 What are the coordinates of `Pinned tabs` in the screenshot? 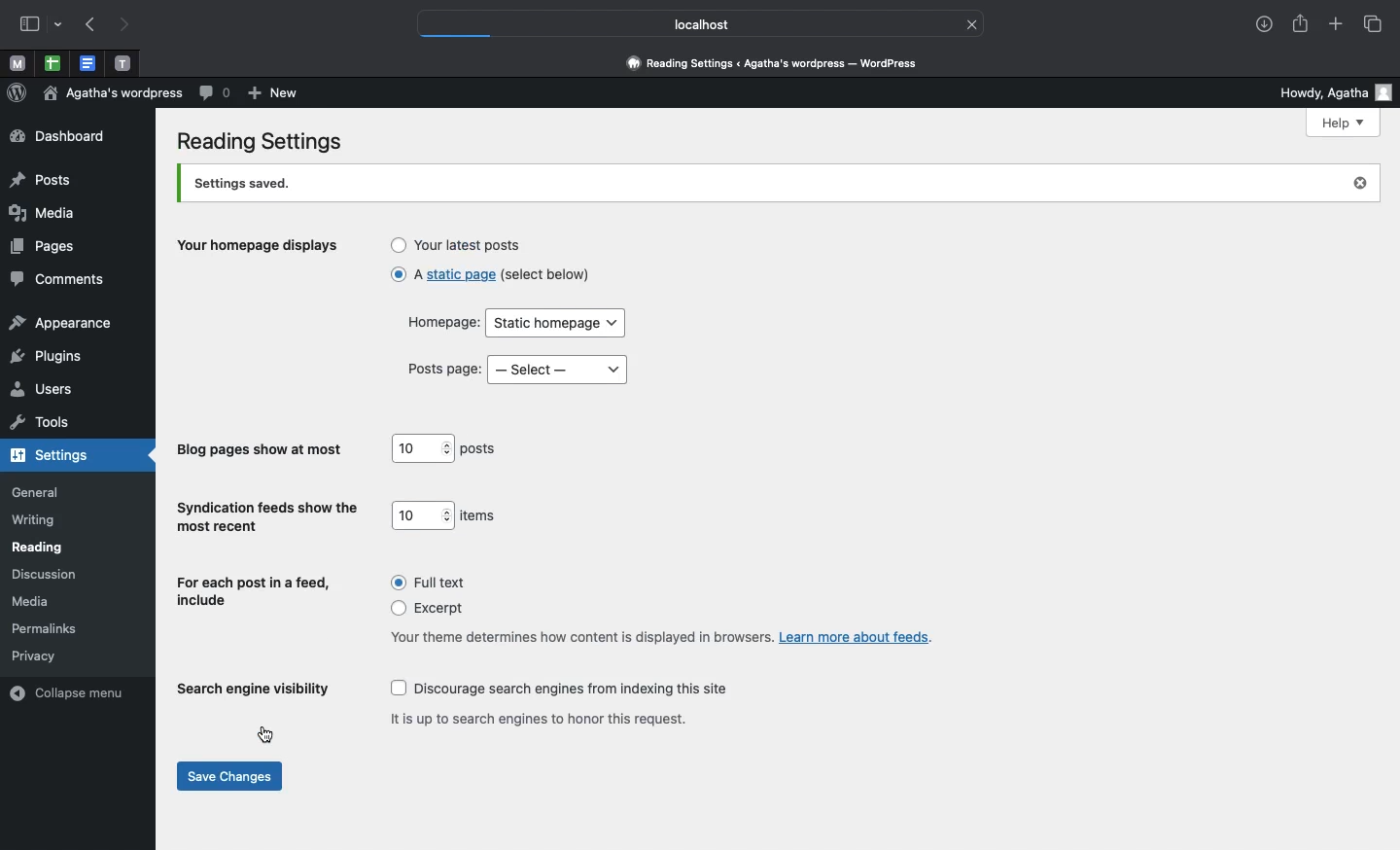 It's located at (52, 63).